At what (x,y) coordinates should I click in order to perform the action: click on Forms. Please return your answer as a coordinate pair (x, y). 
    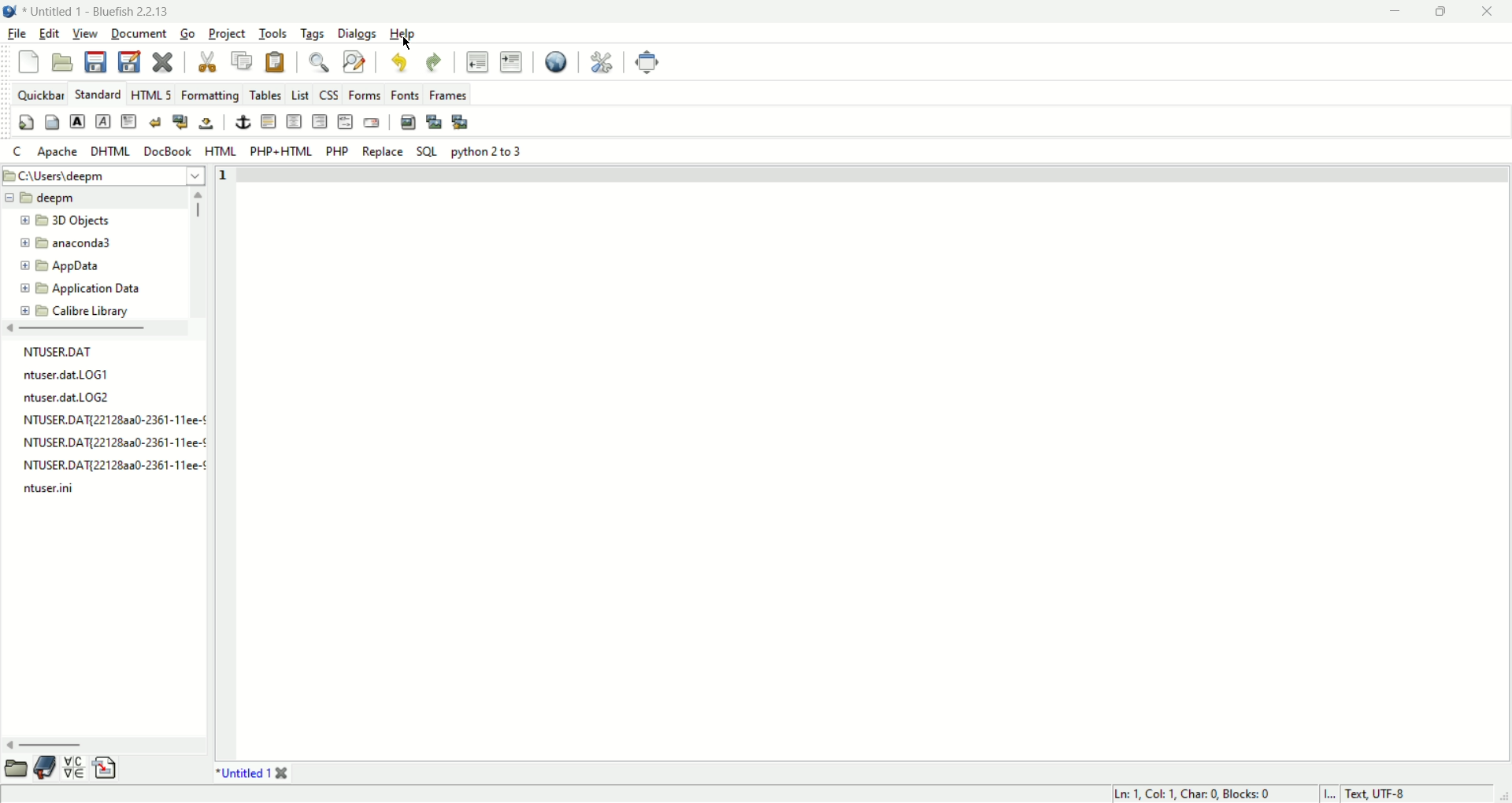
    Looking at the image, I should click on (365, 95).